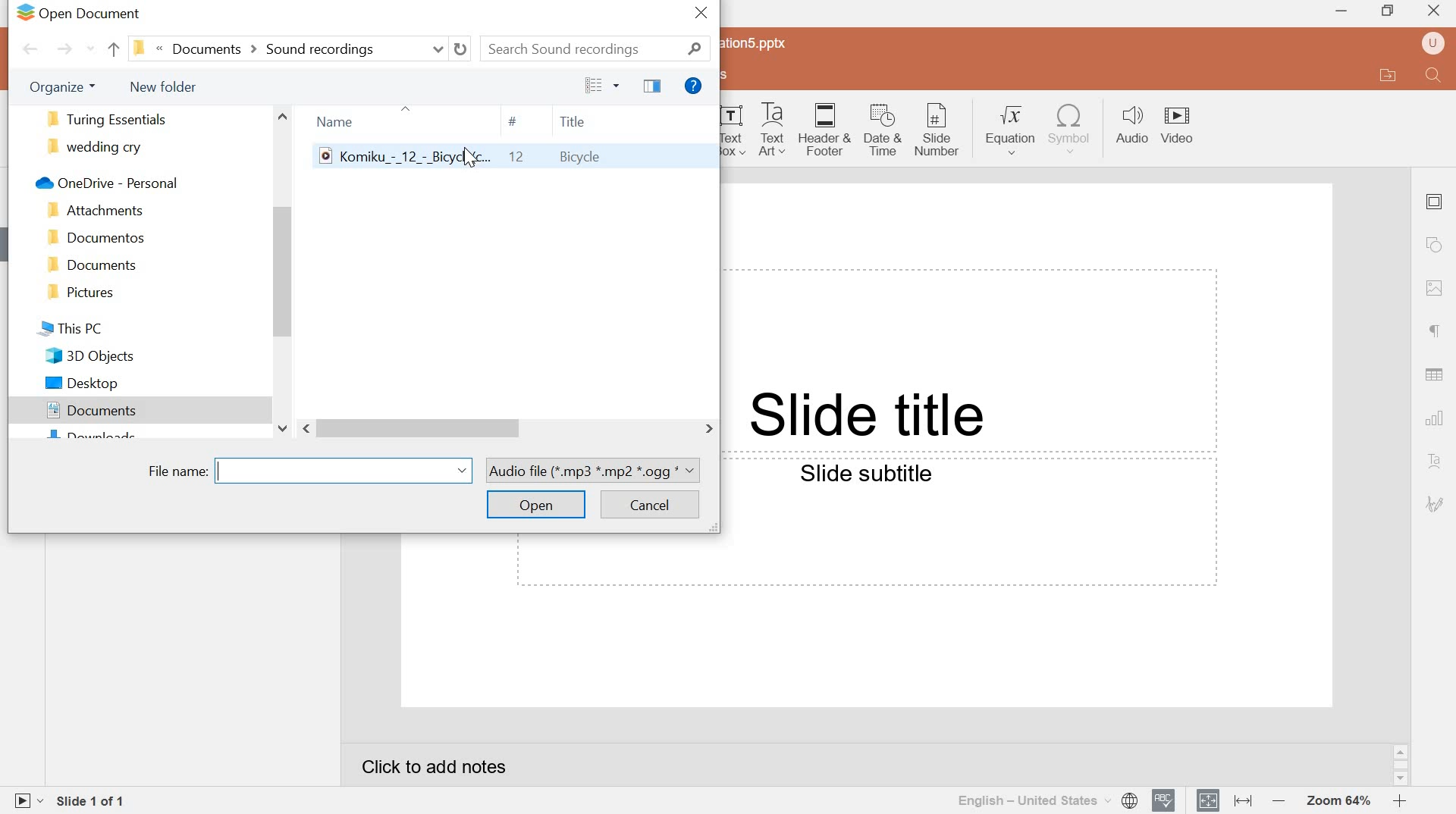 The image size is (1456, 814). I want to click on text art settings, so click(1432, 462).